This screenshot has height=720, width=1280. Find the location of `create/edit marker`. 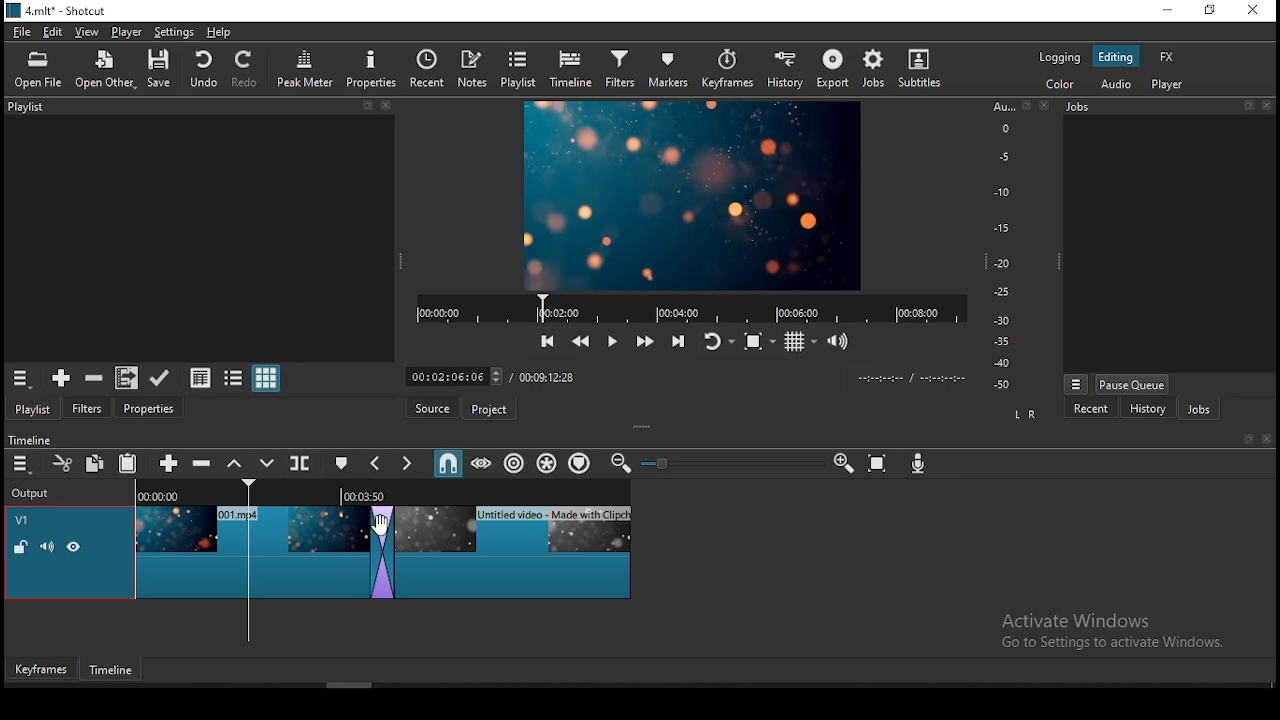

create/edit marker is located at coordinates (342, 462).